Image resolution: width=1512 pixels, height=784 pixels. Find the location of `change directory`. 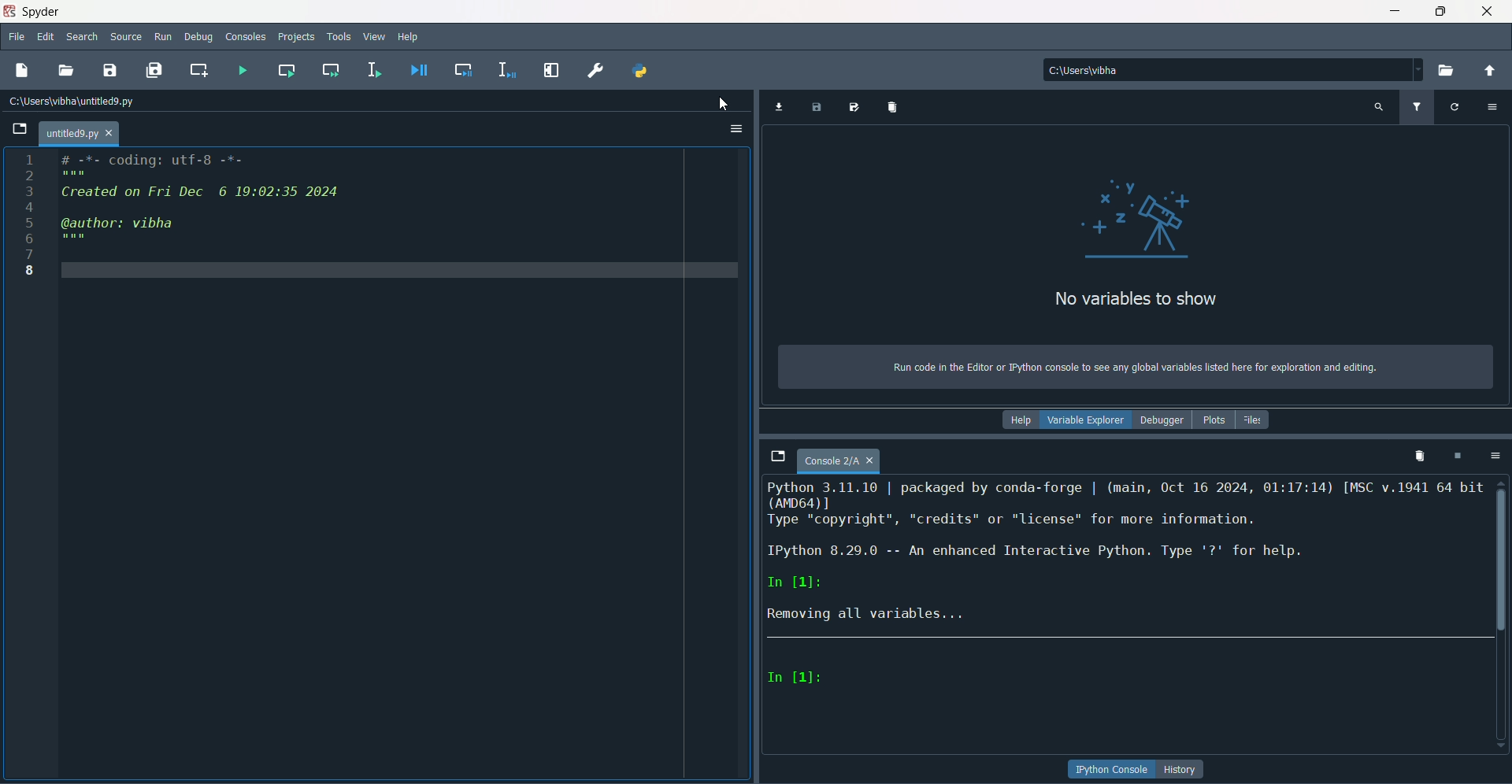

change directory is located at coordinates (1489, 71).